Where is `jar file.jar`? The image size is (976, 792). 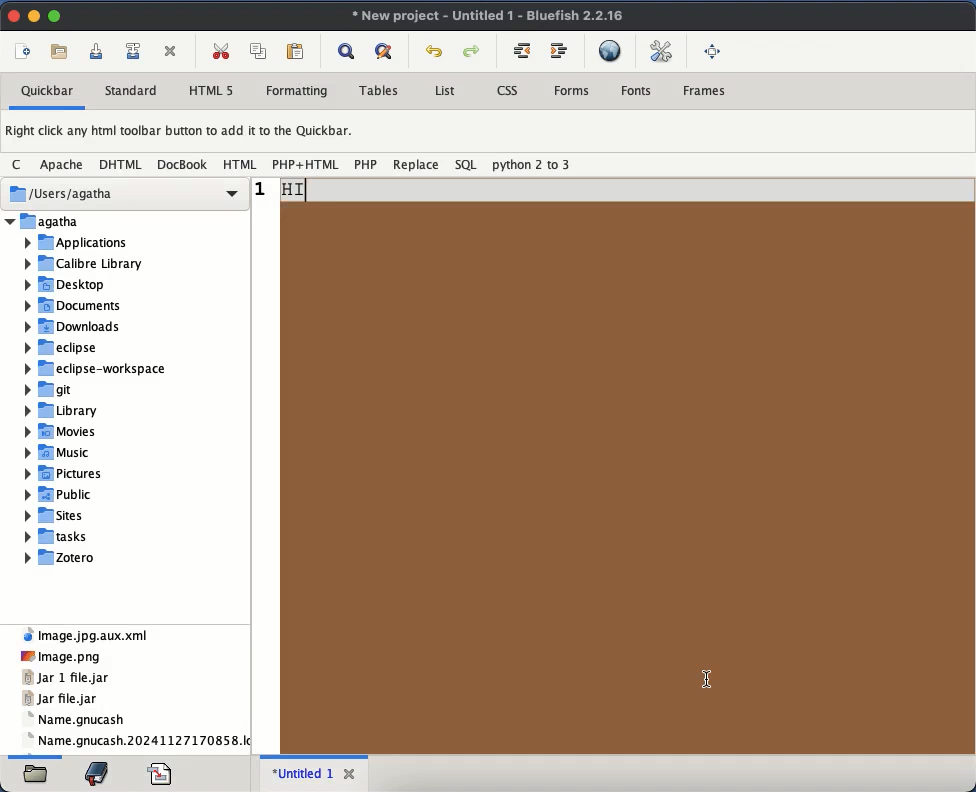 jar file.jar is located at coordinates (63, 700).